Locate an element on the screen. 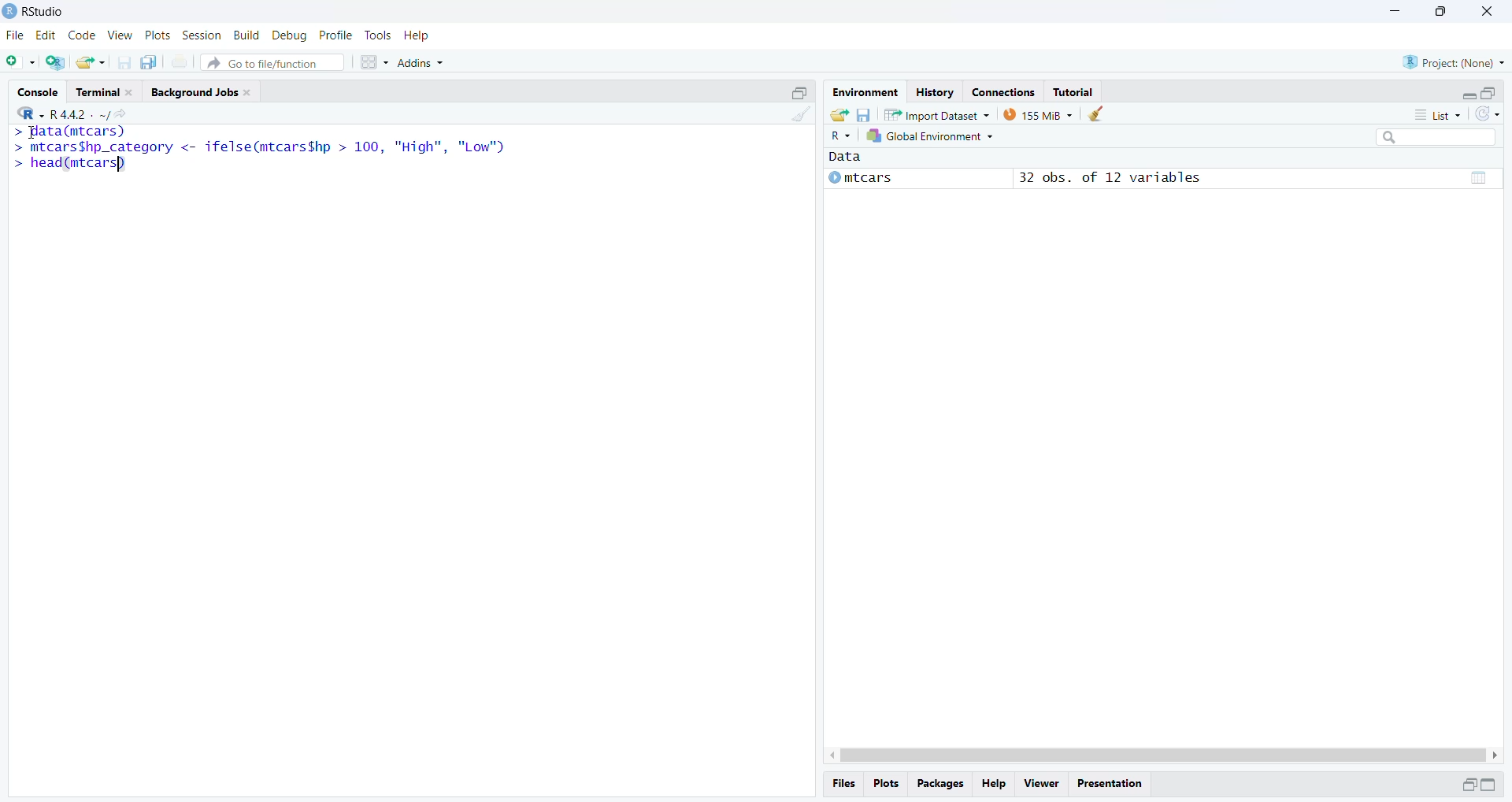 This screenshot has height=802, width=1512. History is located at coordinates (933, 91).